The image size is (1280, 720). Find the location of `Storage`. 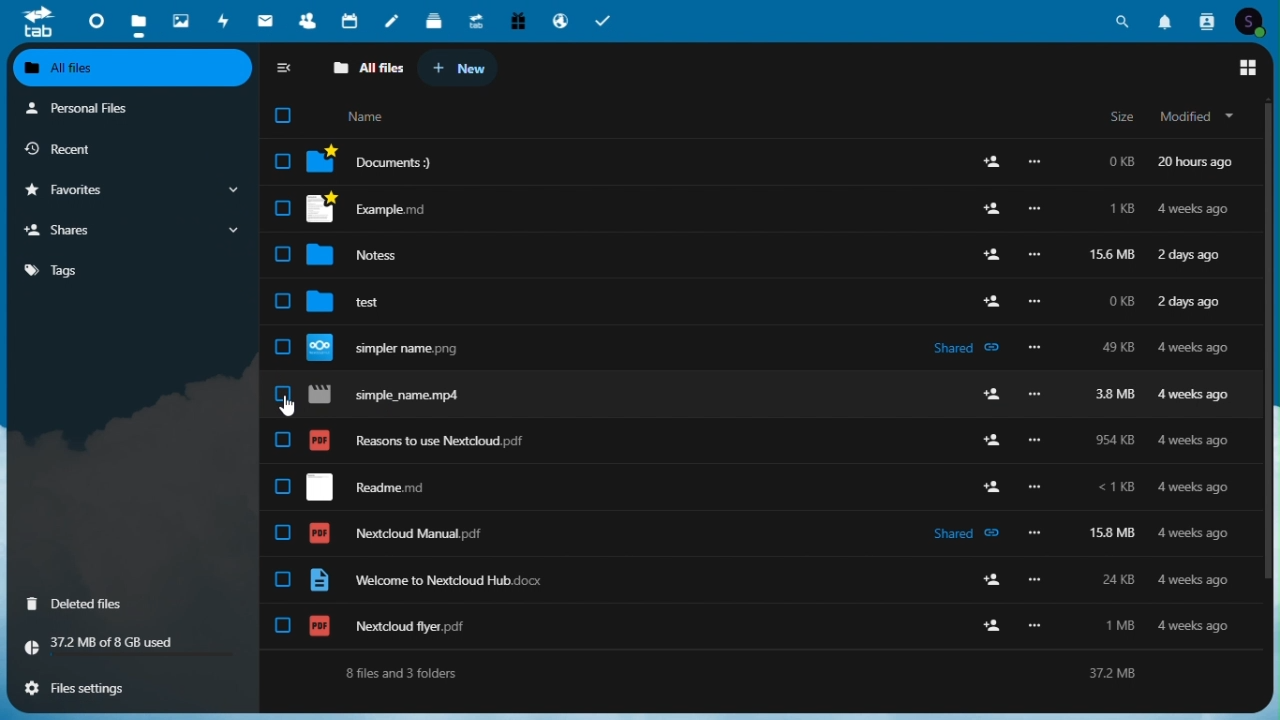

Storage is located at coordinates (135, 646).